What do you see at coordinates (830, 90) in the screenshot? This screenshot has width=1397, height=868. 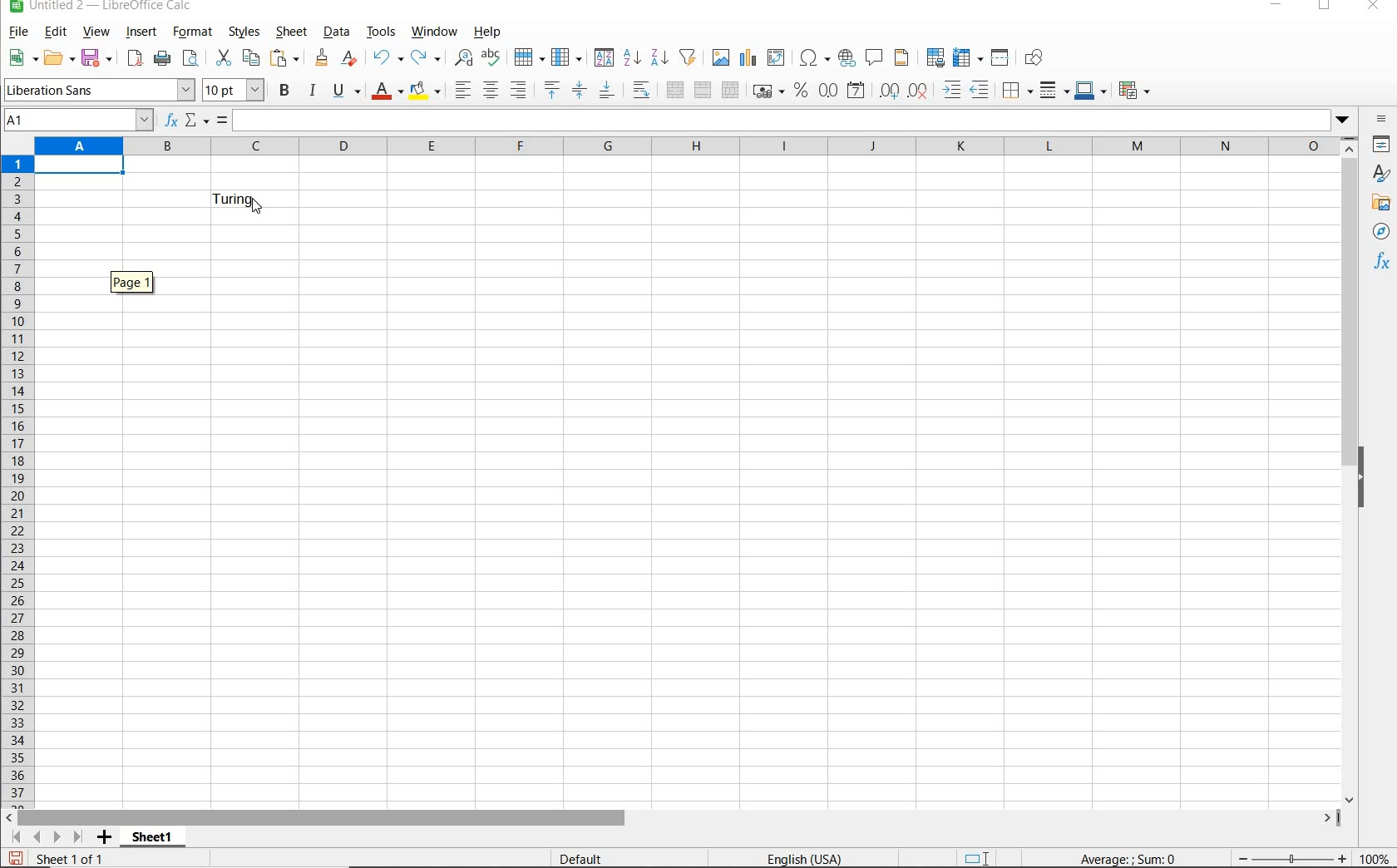 I see `FORMAT AS NUMBER` at bounding box center [830, 90].